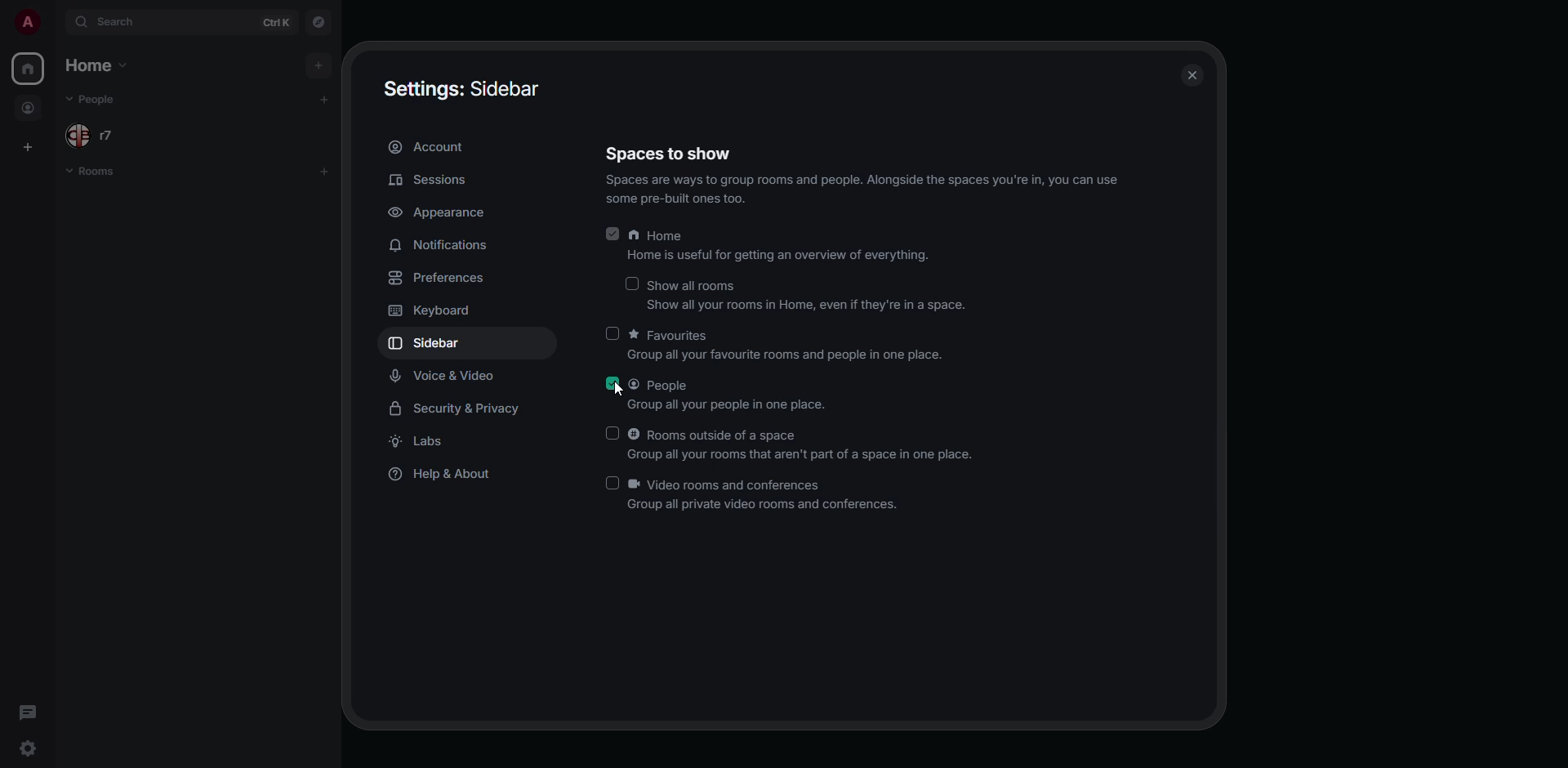  I want to click on cursor, so click(626, 390).